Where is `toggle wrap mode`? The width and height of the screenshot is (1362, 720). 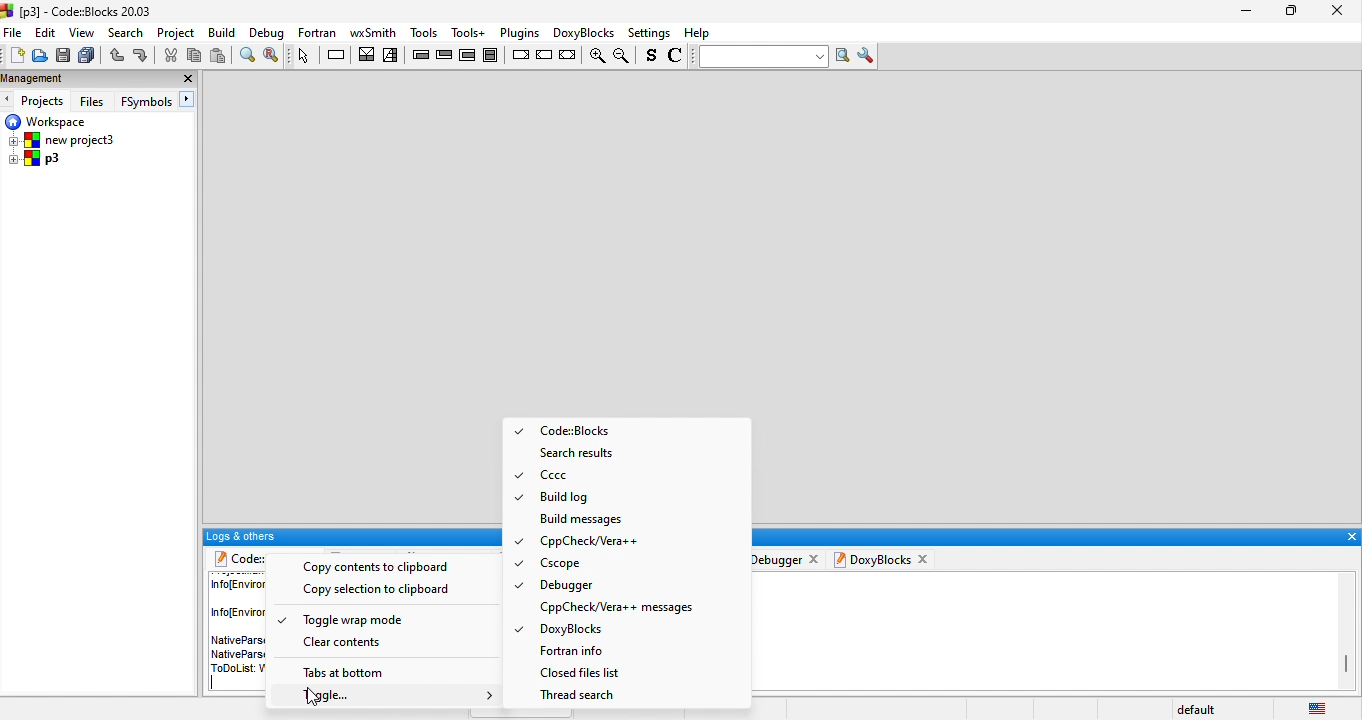 toggle wrap mode is located at coordinates (346, 620).